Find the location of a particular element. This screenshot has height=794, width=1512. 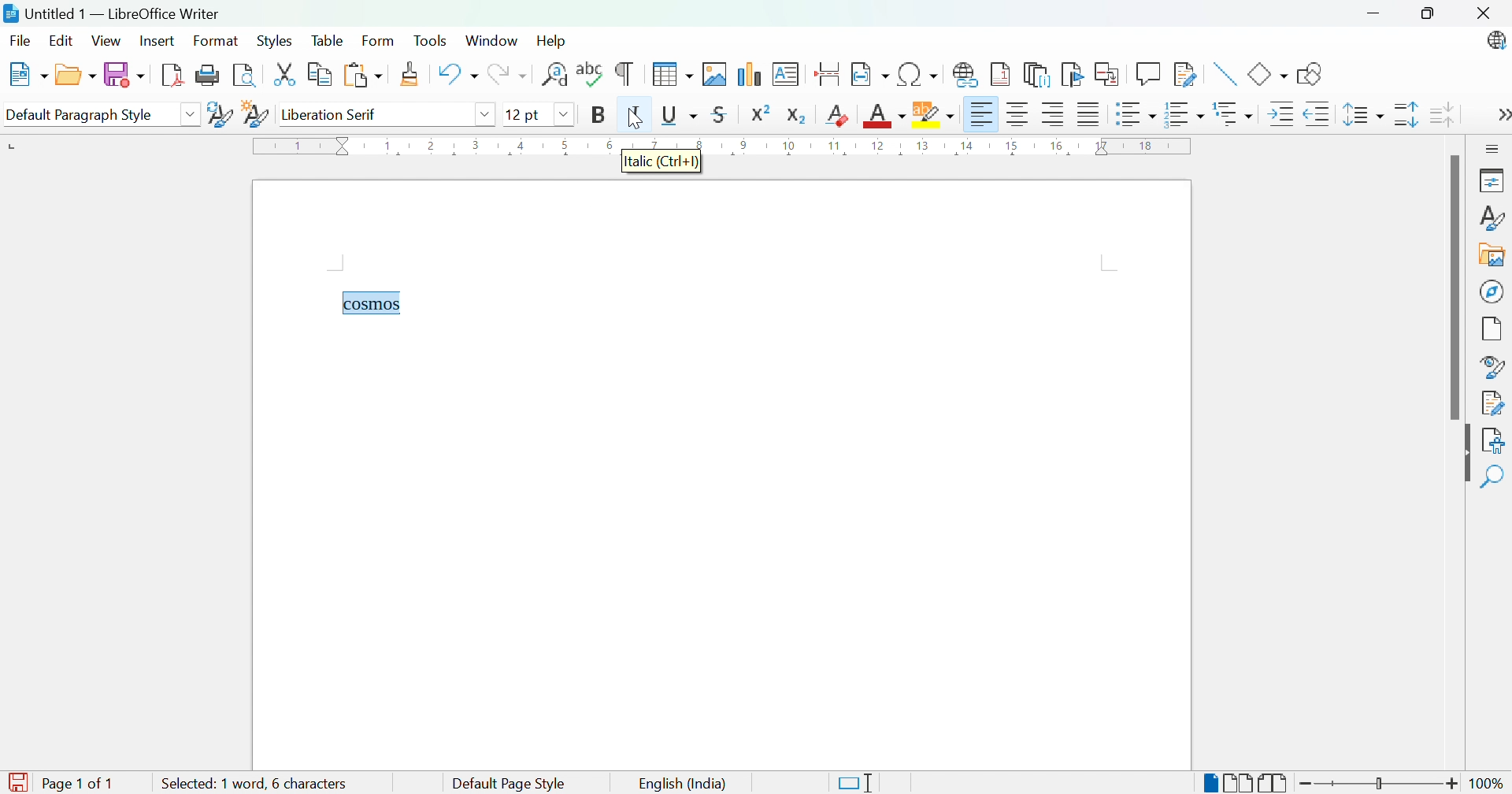

Accessibility check is located at coordinates (1496, 442).